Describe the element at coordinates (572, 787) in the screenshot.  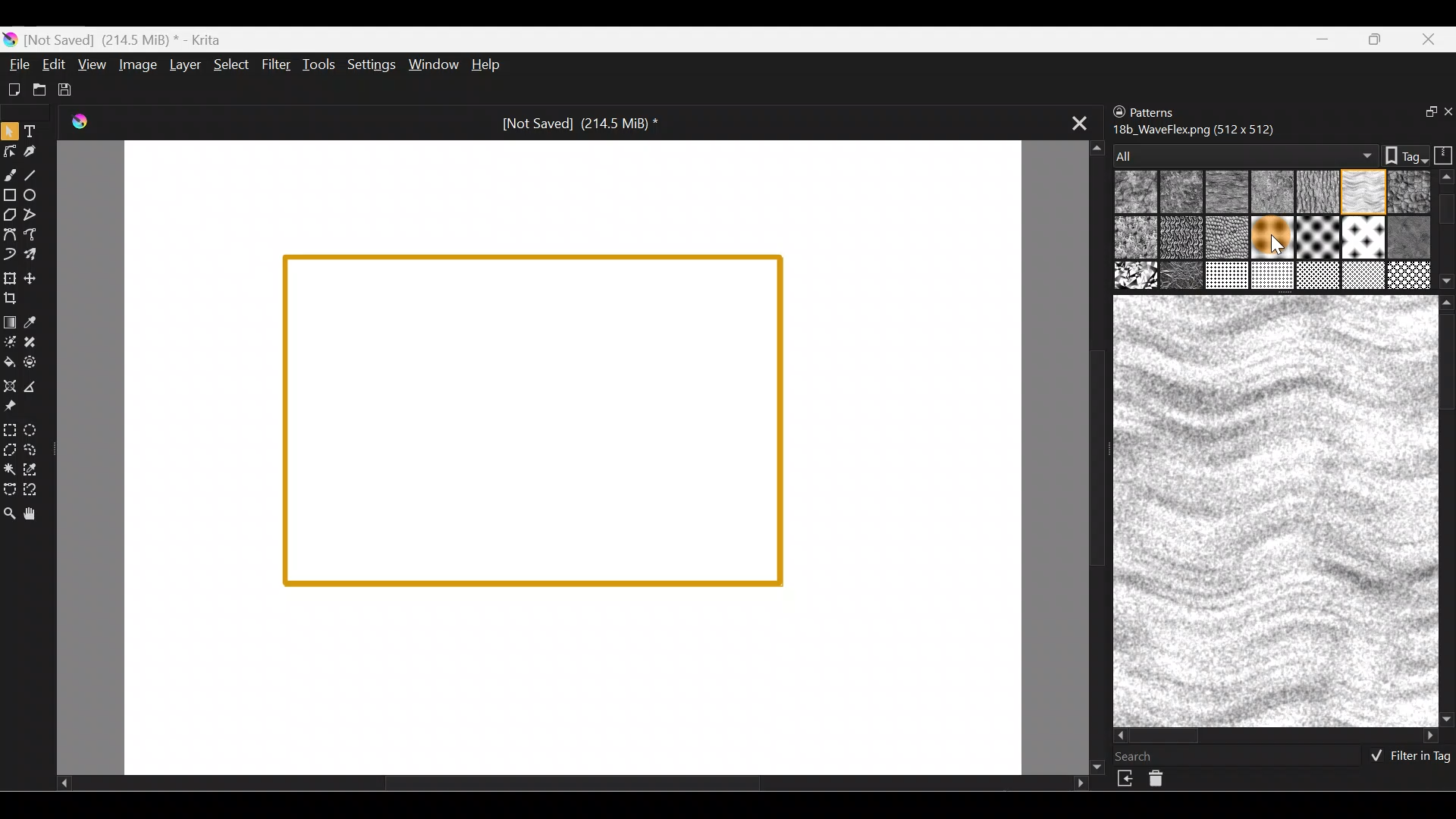
I see `Scroll tab` at that location.